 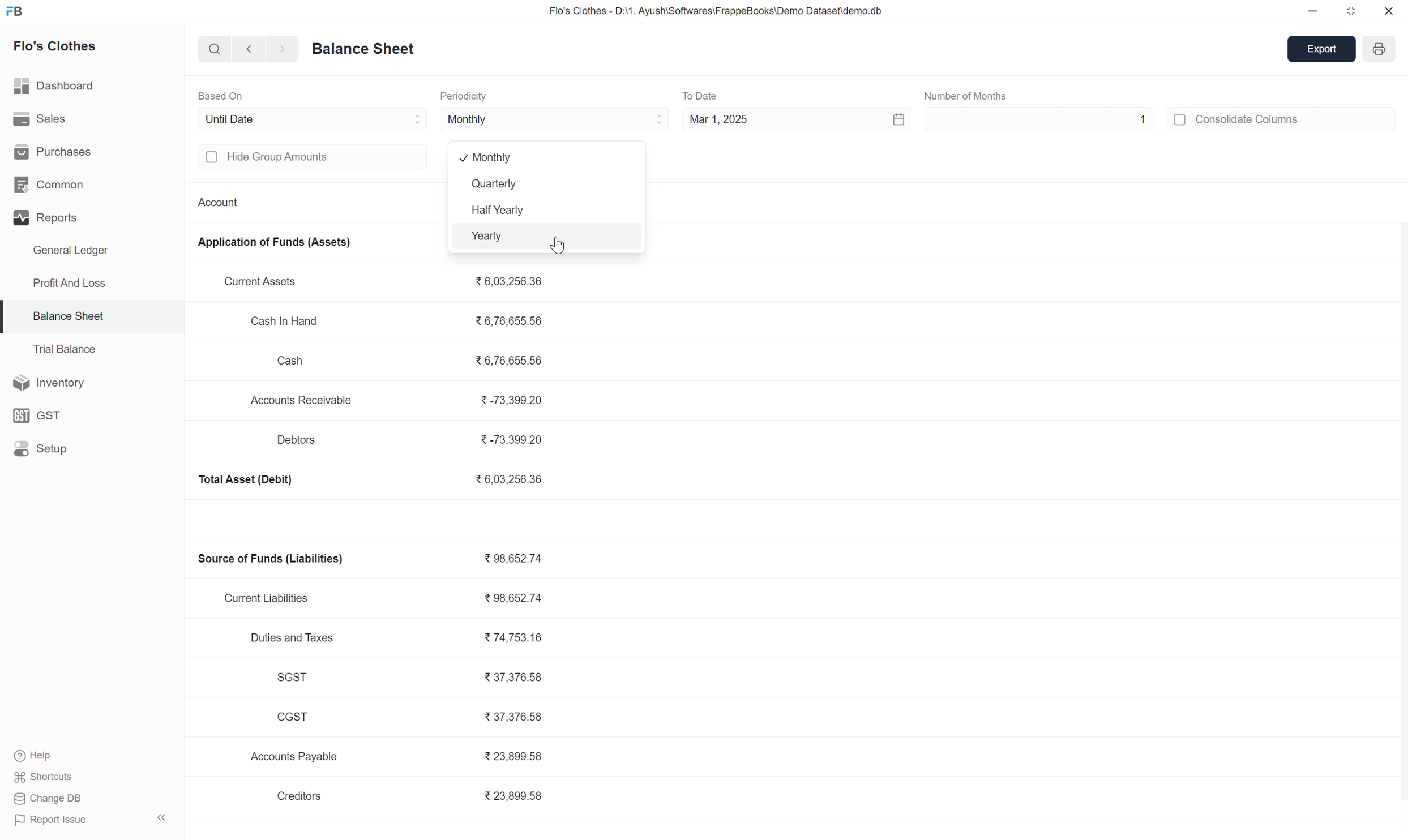 What do you see at coordinates (1386, 11) in the screenshot?
I see `close` at bounding box center [1386, 11].